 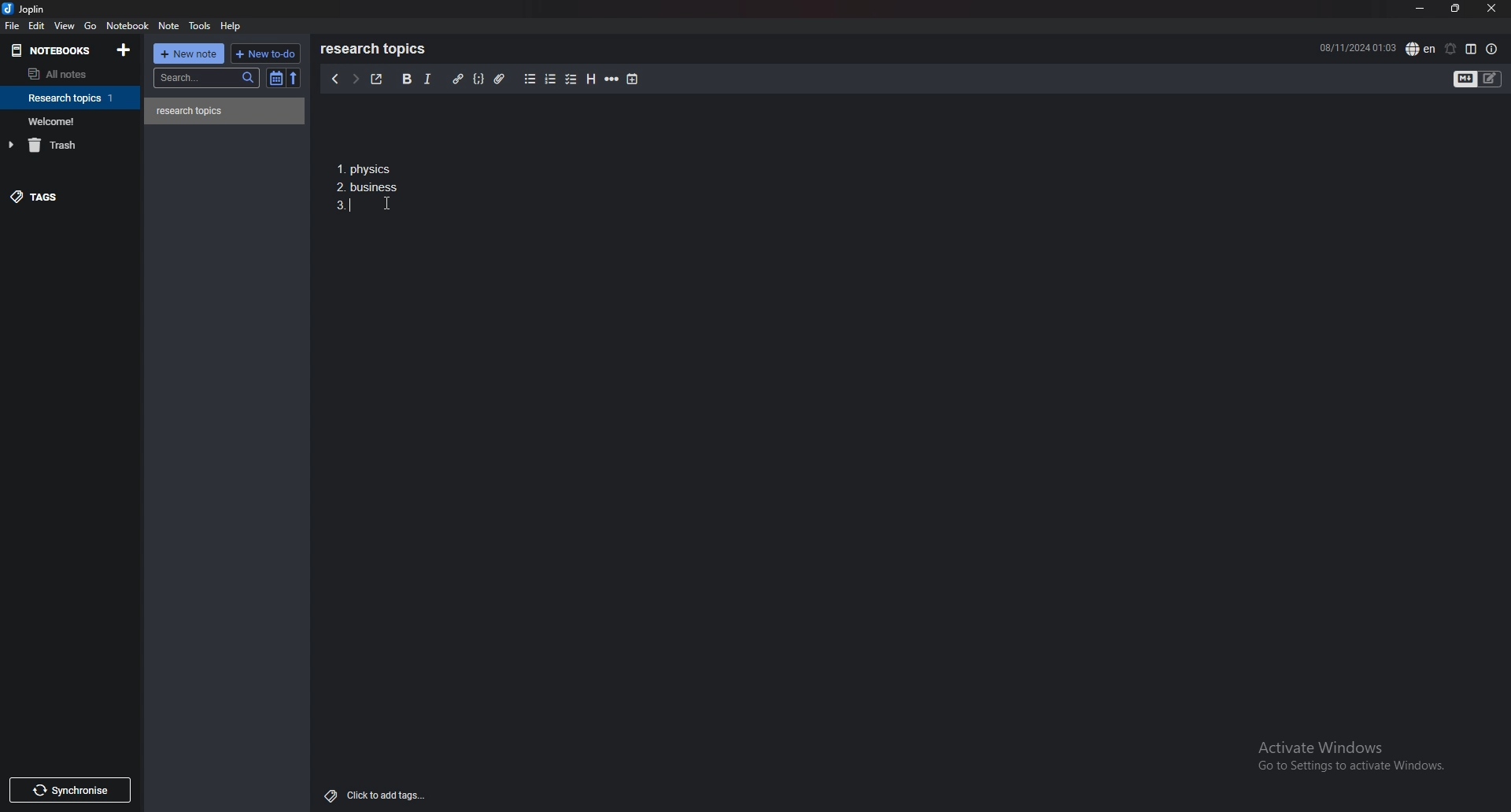 I want to click on add notebook, so click(x=123, y=50).